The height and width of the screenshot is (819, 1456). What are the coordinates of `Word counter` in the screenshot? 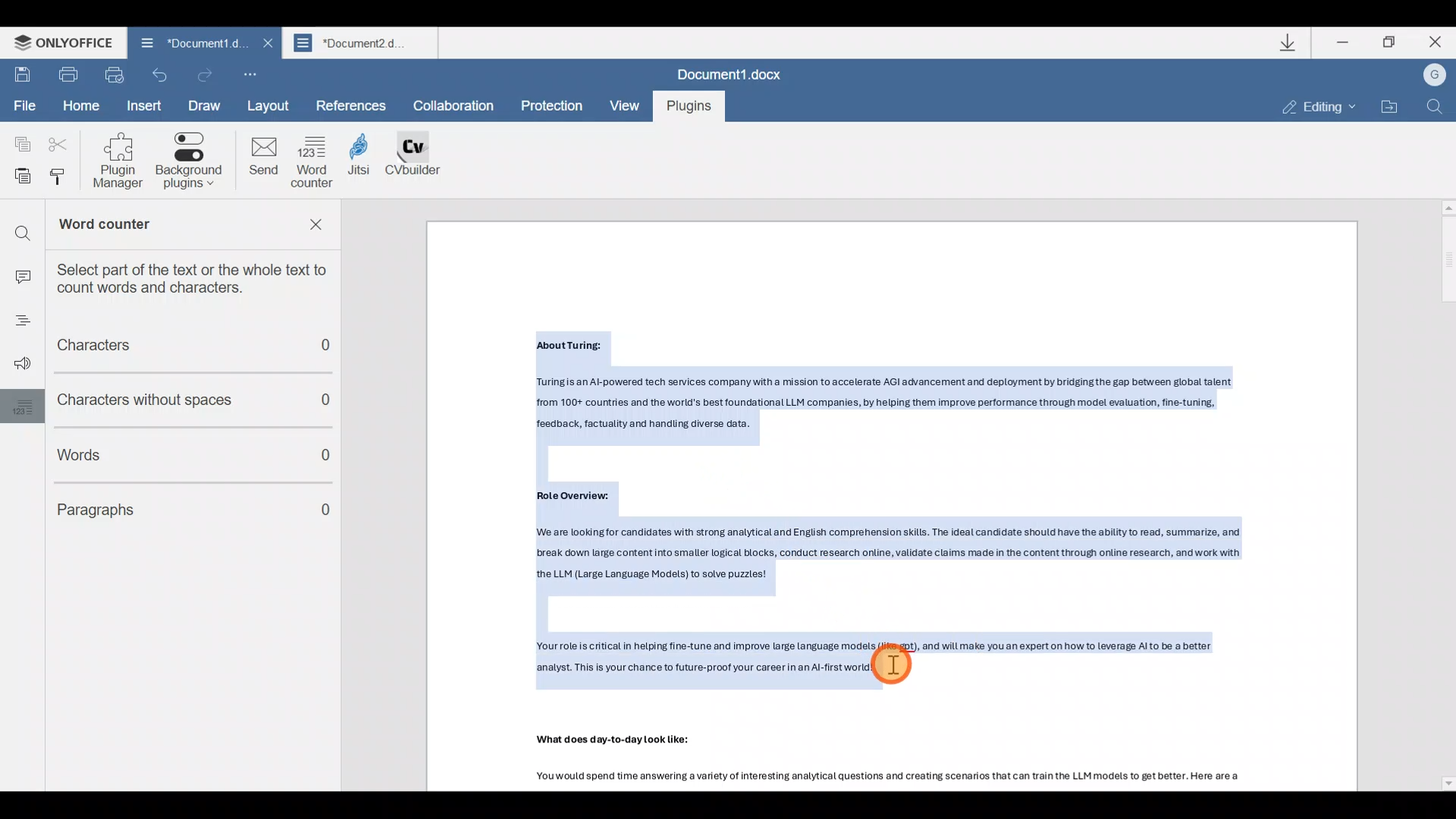 It's located at (314, 162).